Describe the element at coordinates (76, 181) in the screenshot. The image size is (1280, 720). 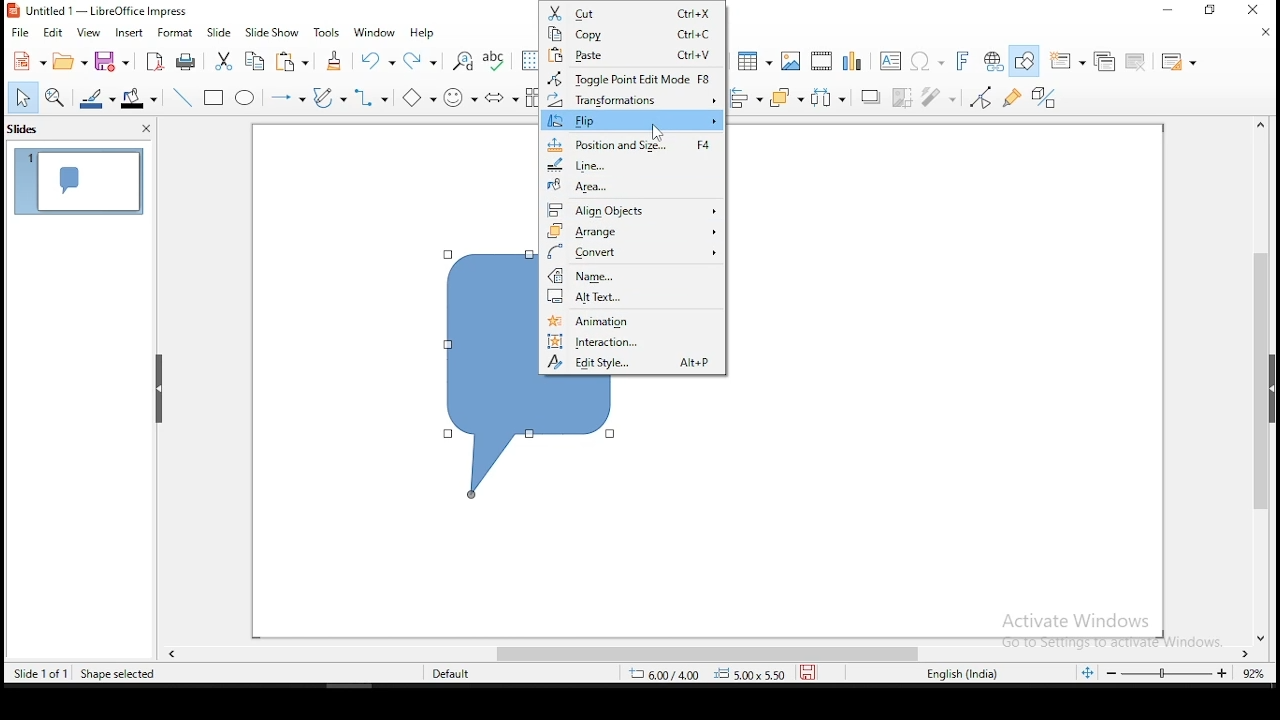
I see `slide 1` at that location.